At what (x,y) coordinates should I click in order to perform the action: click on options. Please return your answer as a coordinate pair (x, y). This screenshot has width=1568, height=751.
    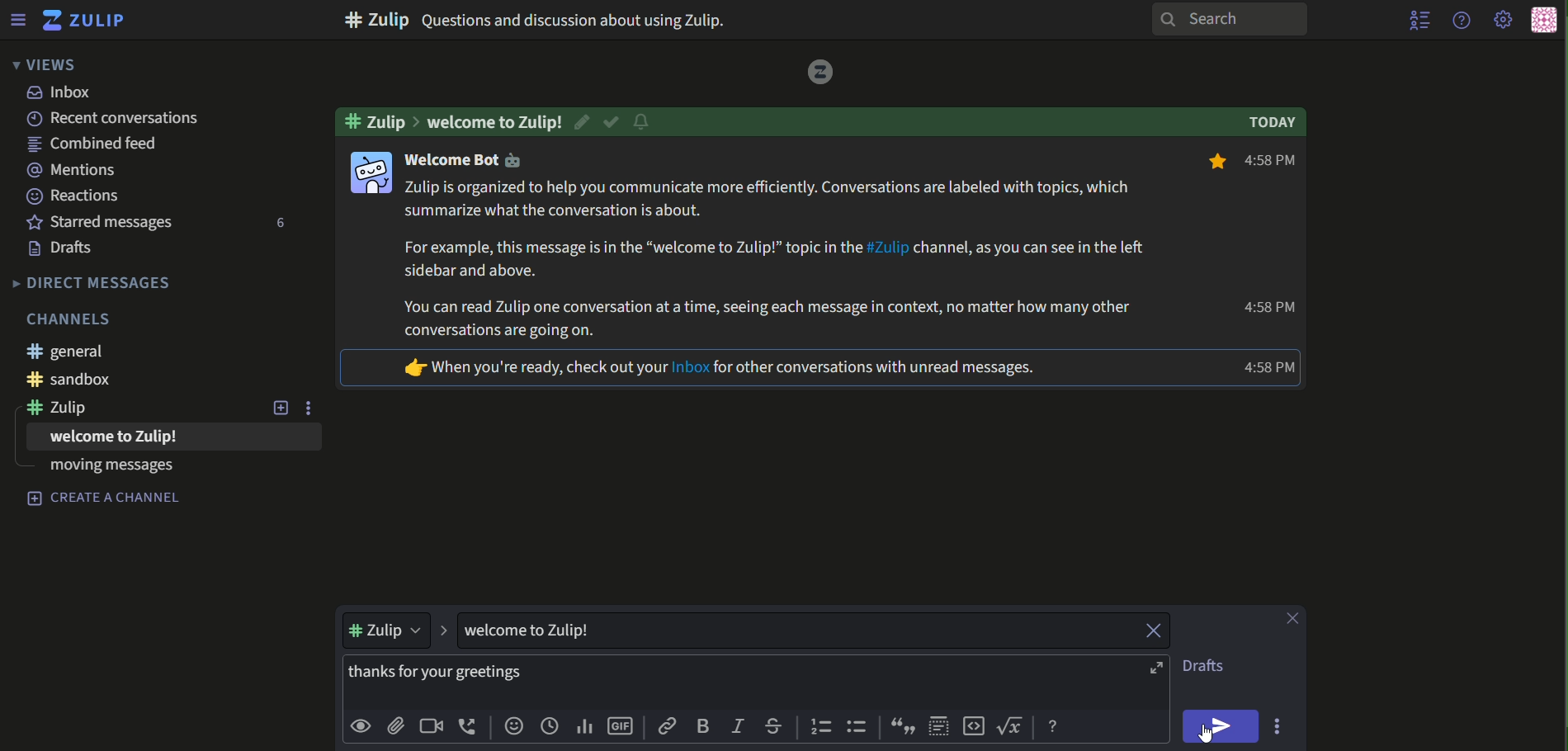
    Looking at the image, I should click on (314, 408).